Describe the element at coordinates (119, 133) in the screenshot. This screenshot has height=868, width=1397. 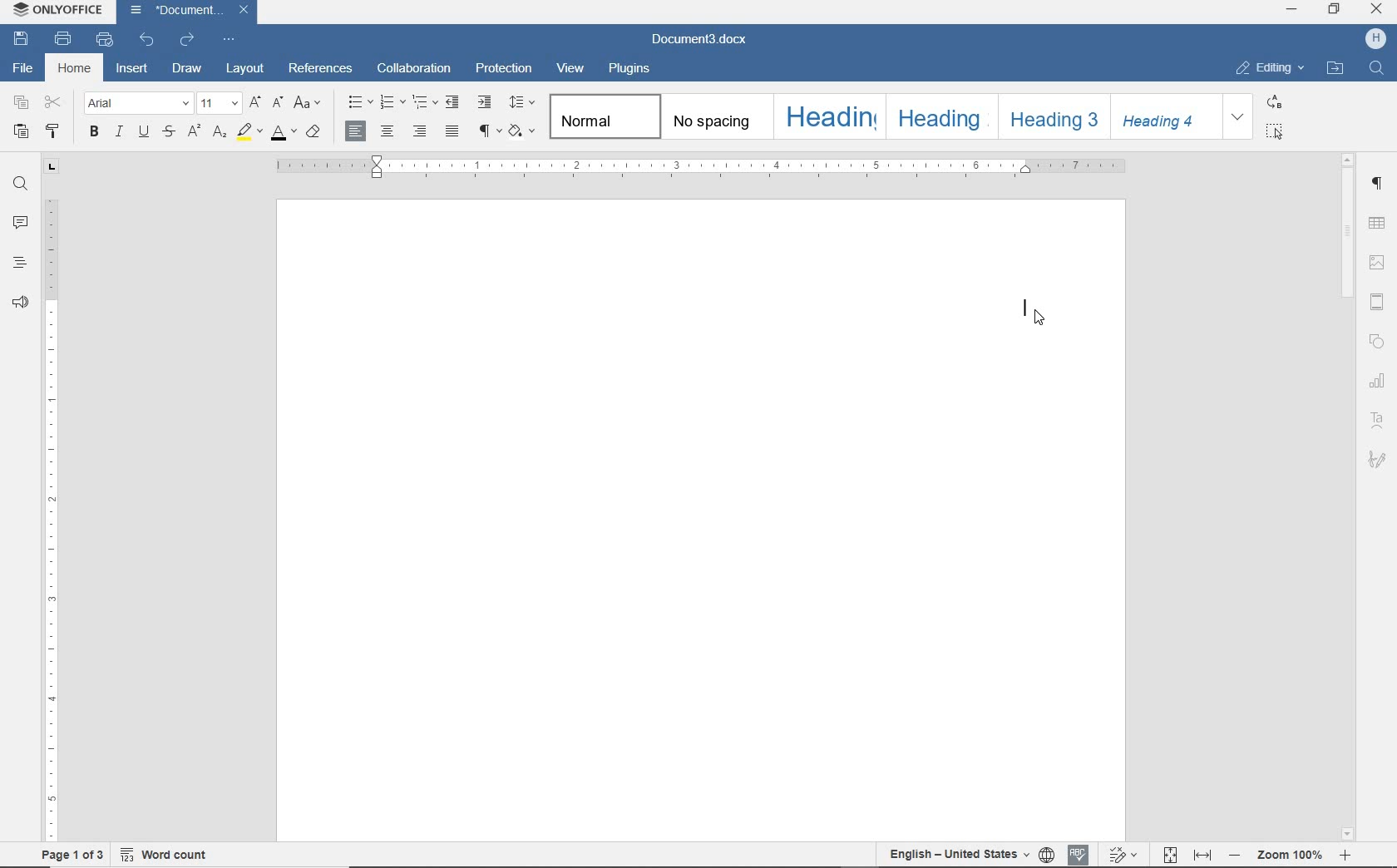
I see `ITALIC` at that location.